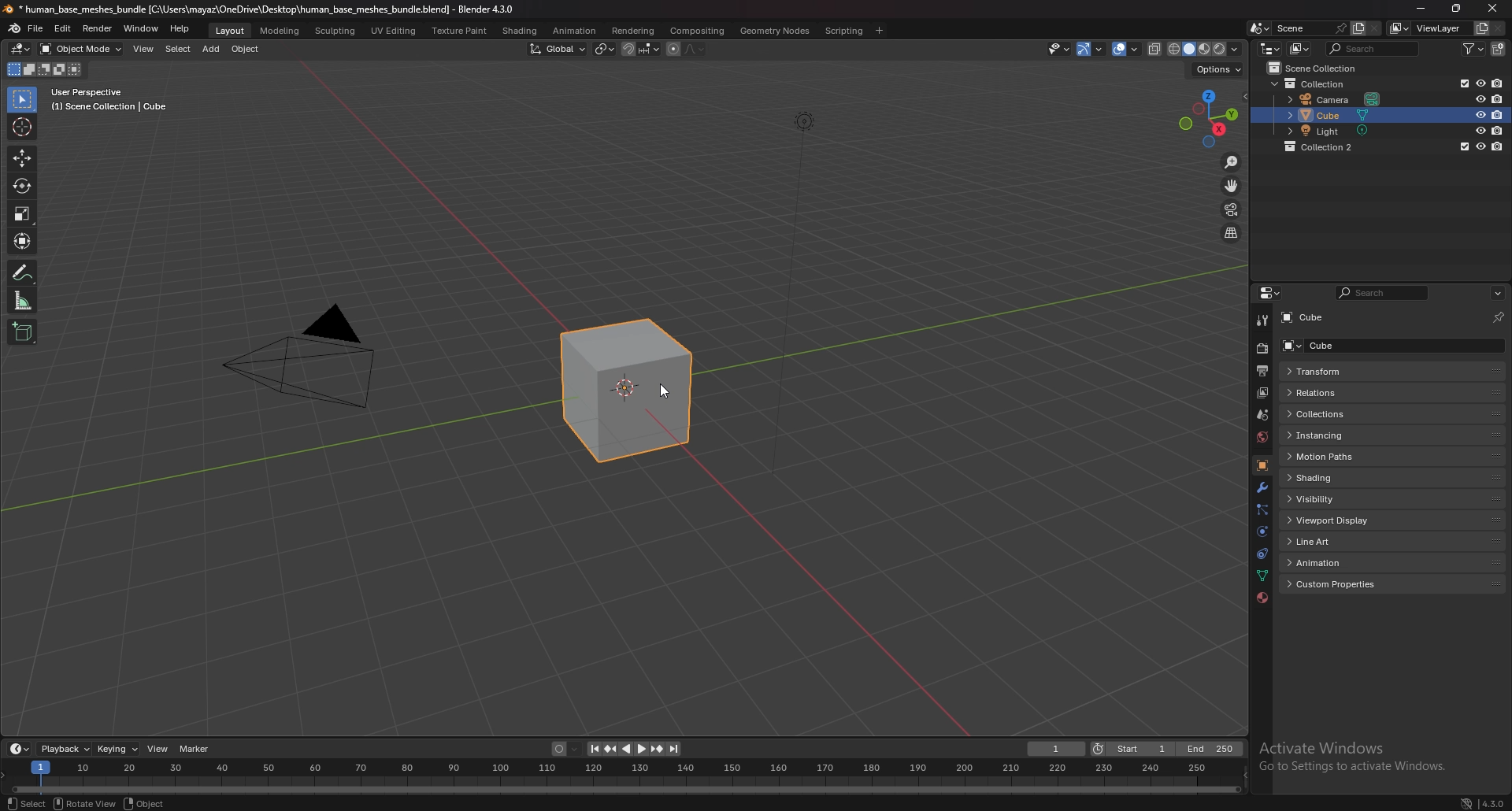 The image size is (1512, 811). Describe the element at coordinates (24, 214) in the screenshot. I see `scale` at that location.